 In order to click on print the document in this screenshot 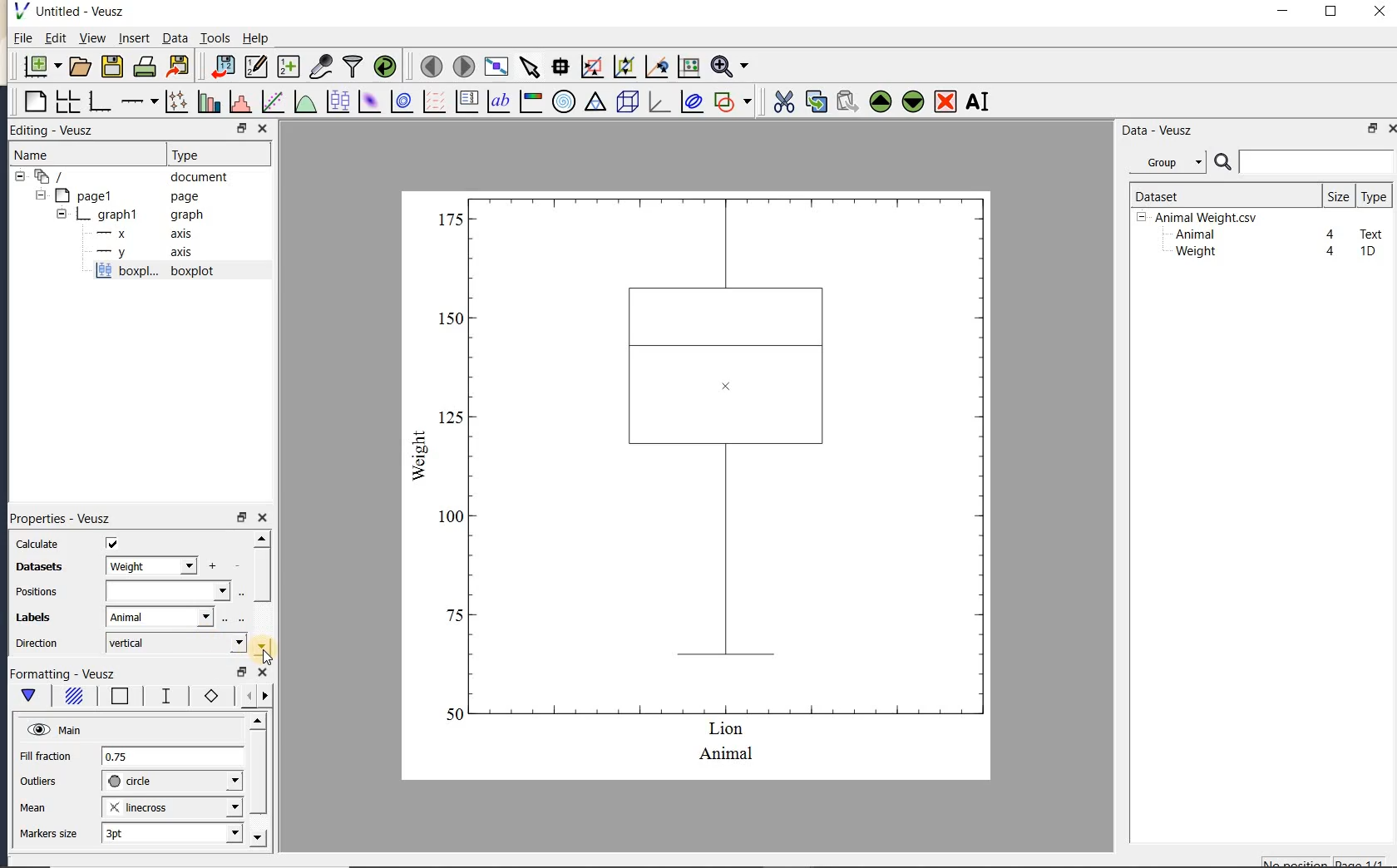, I will do `click(145, 67)`.